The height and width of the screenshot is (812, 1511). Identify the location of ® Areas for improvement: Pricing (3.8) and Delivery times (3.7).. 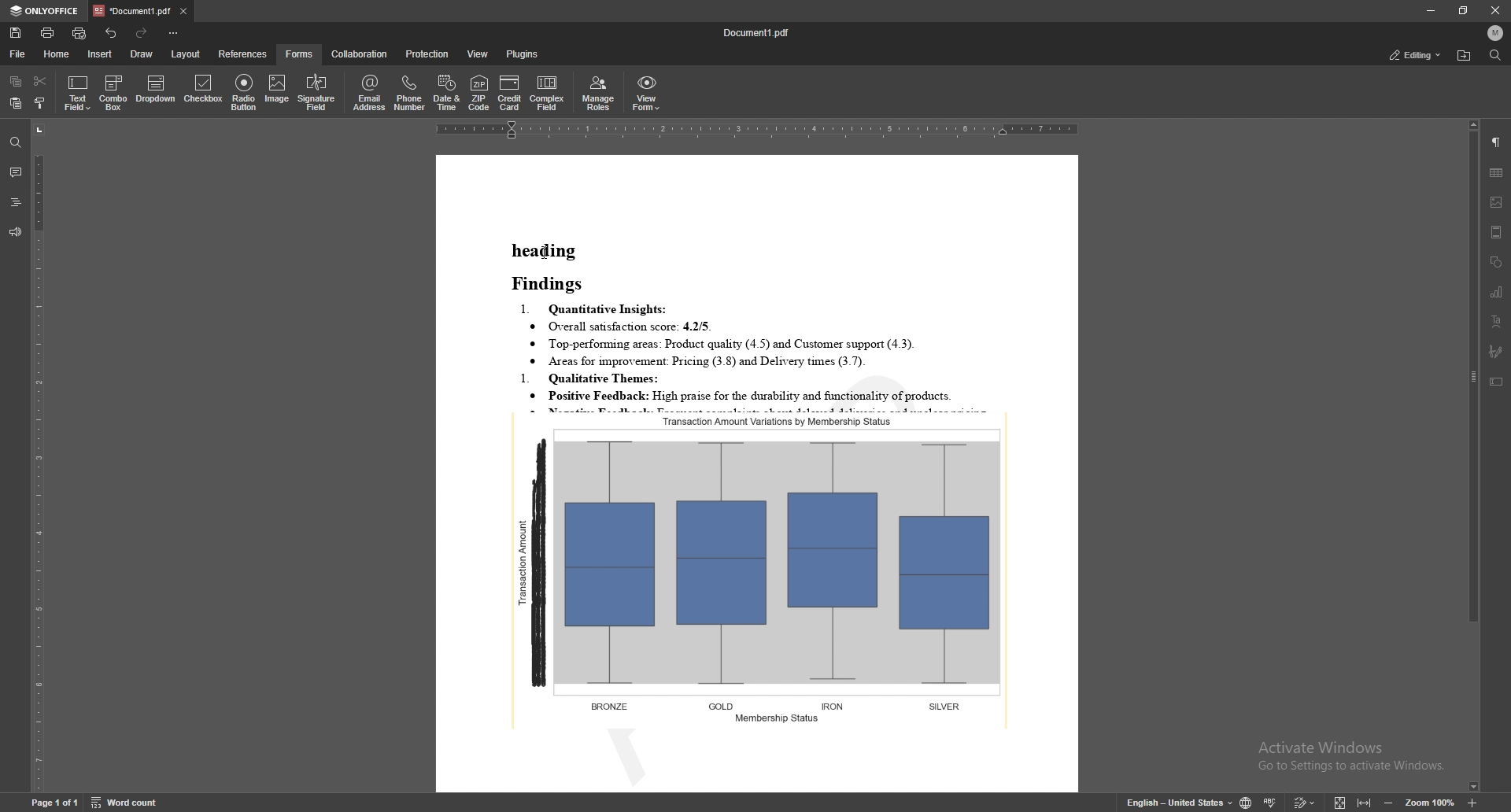
(698, 361).